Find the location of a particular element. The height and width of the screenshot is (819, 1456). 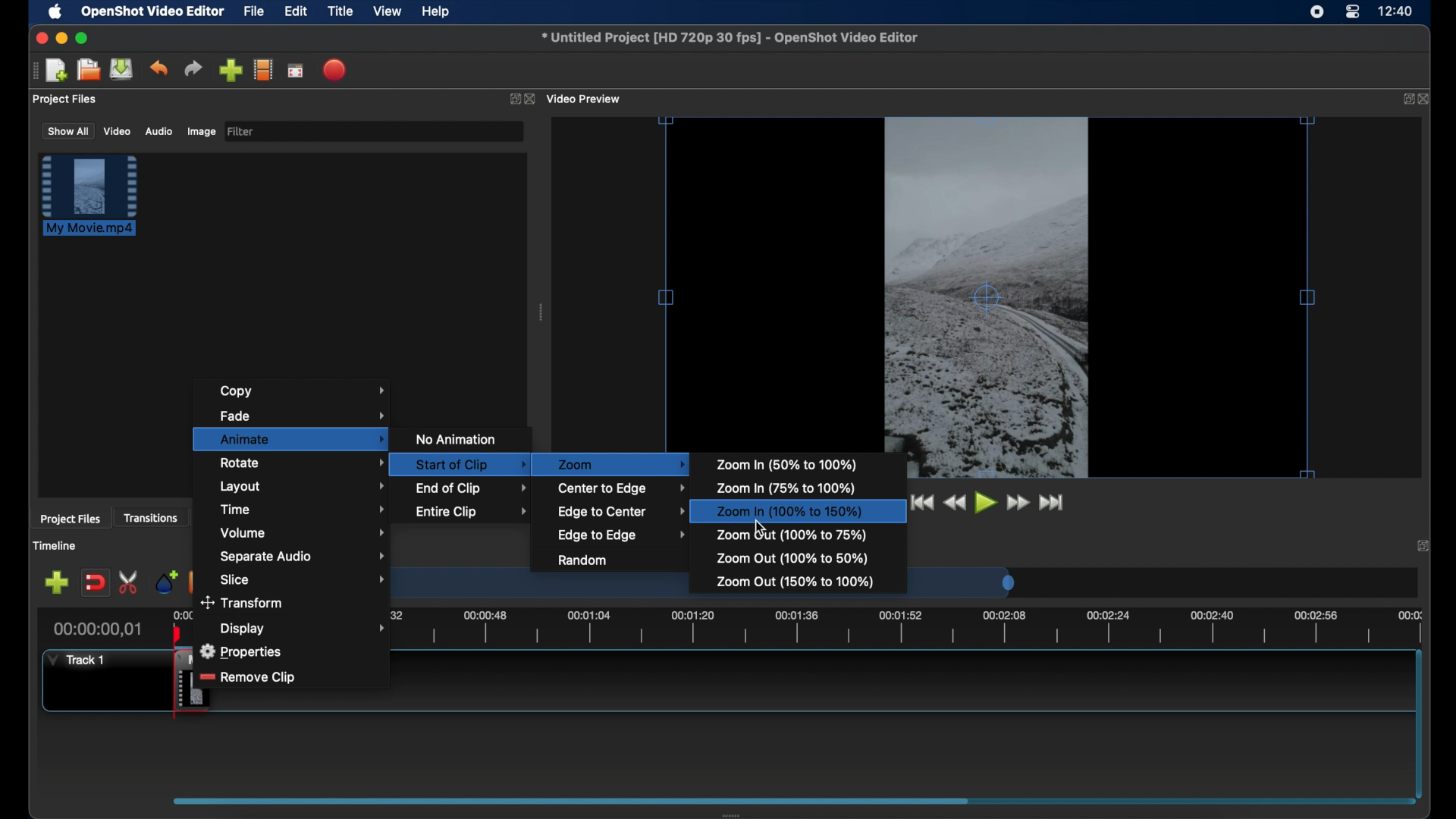

playhead is located at coordinates (176, 631).